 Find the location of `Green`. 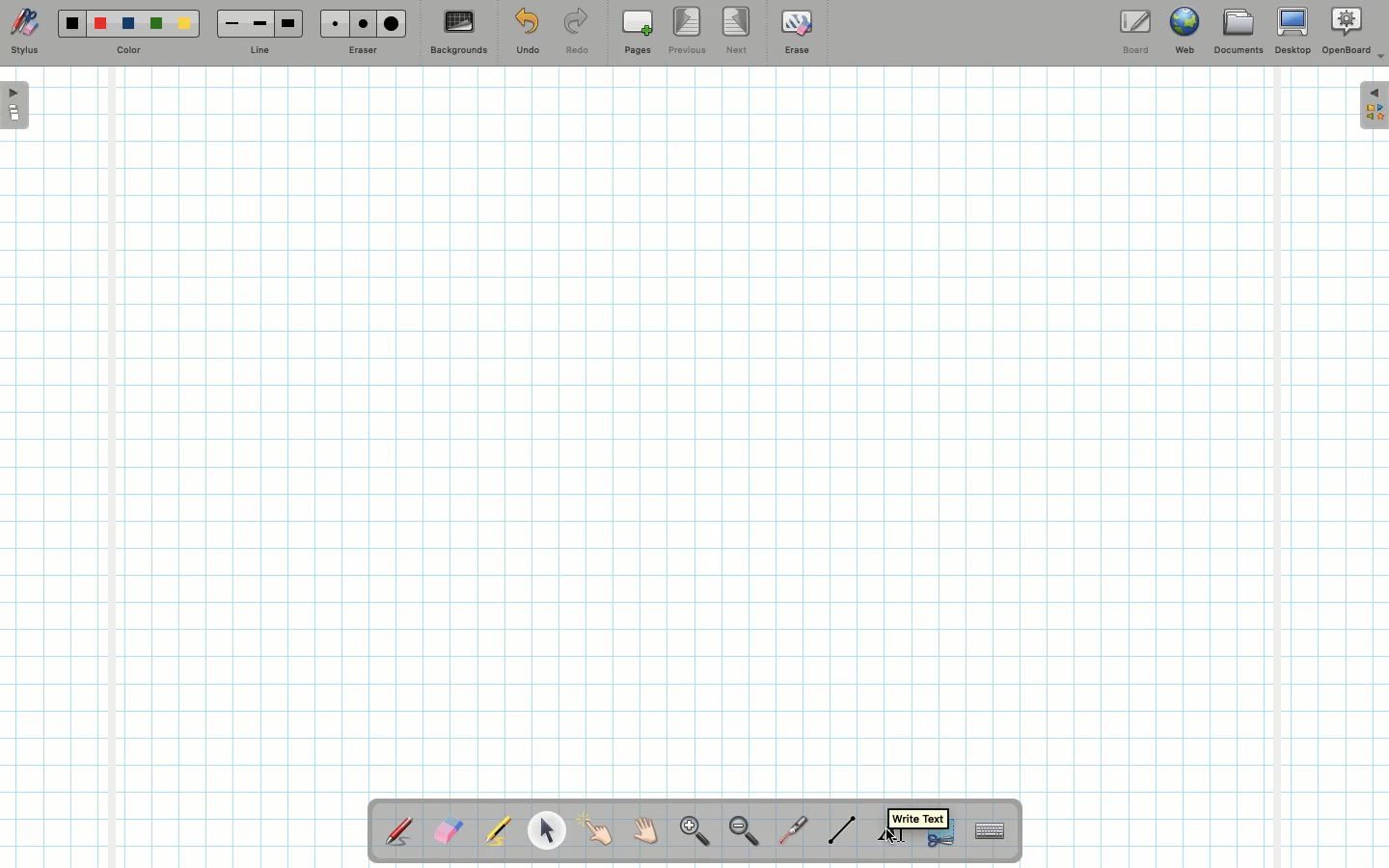

Green is located at coordinates (156, 25).